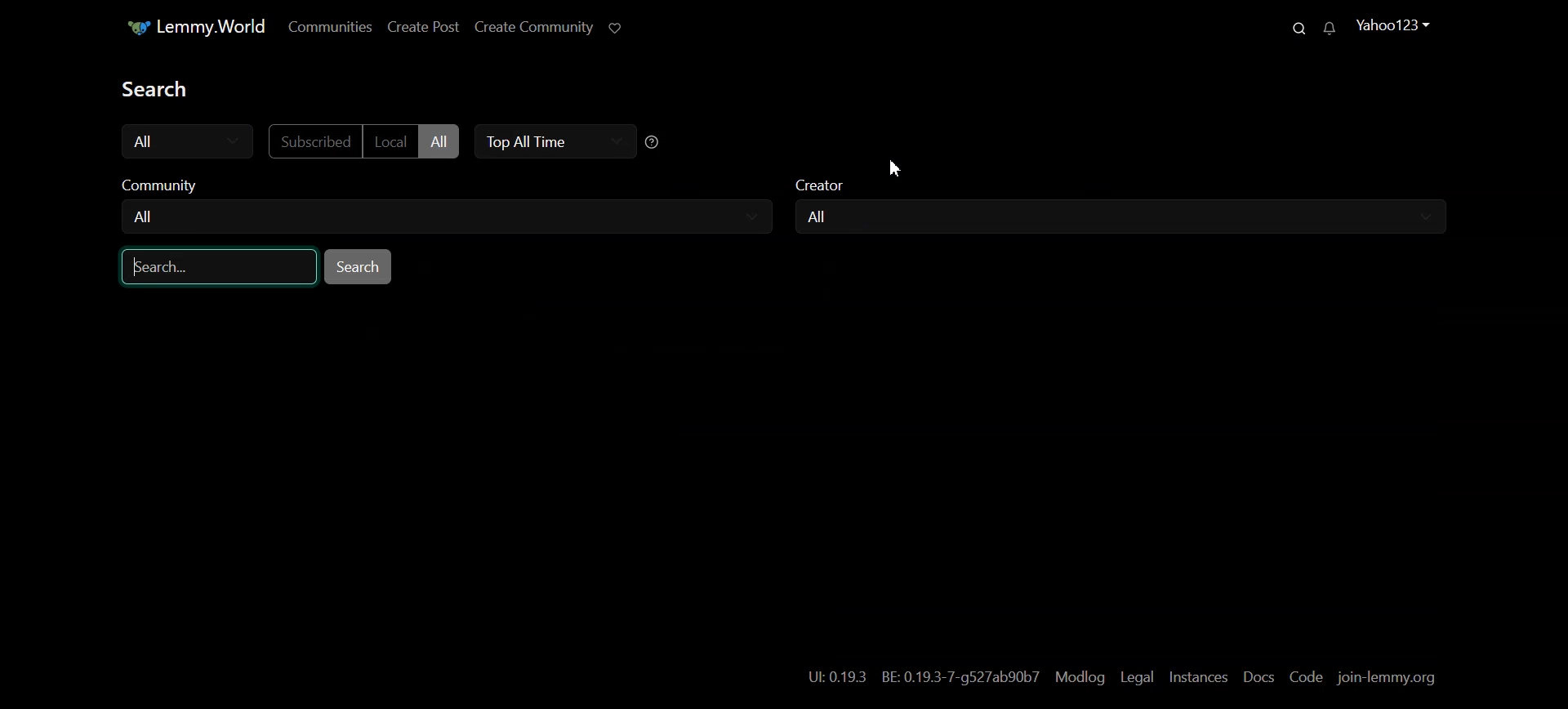  I want to click on Hyperlink, so click(923, 677).